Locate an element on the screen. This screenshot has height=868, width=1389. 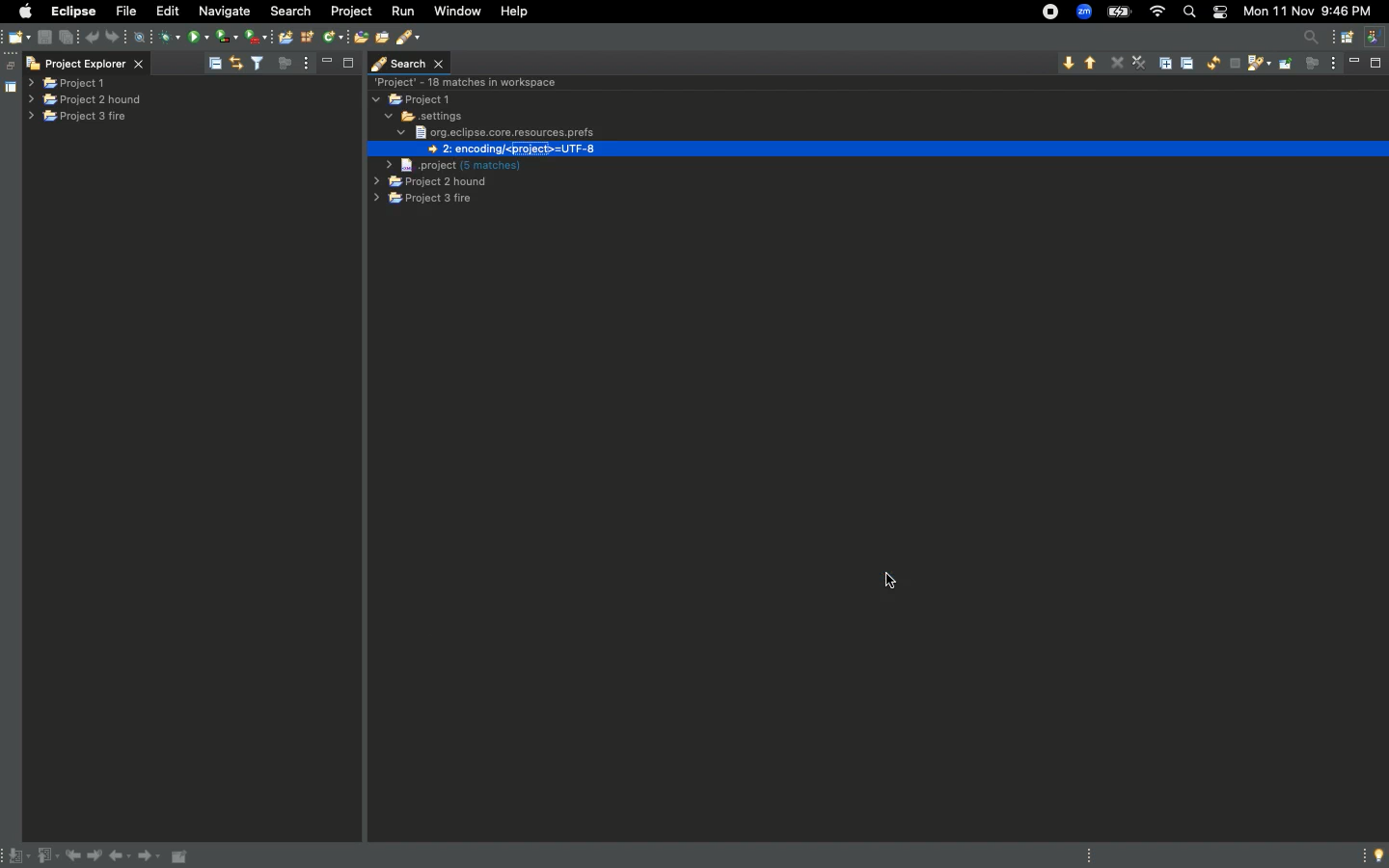
Show previous searches is located at coordinates (1258, 66).